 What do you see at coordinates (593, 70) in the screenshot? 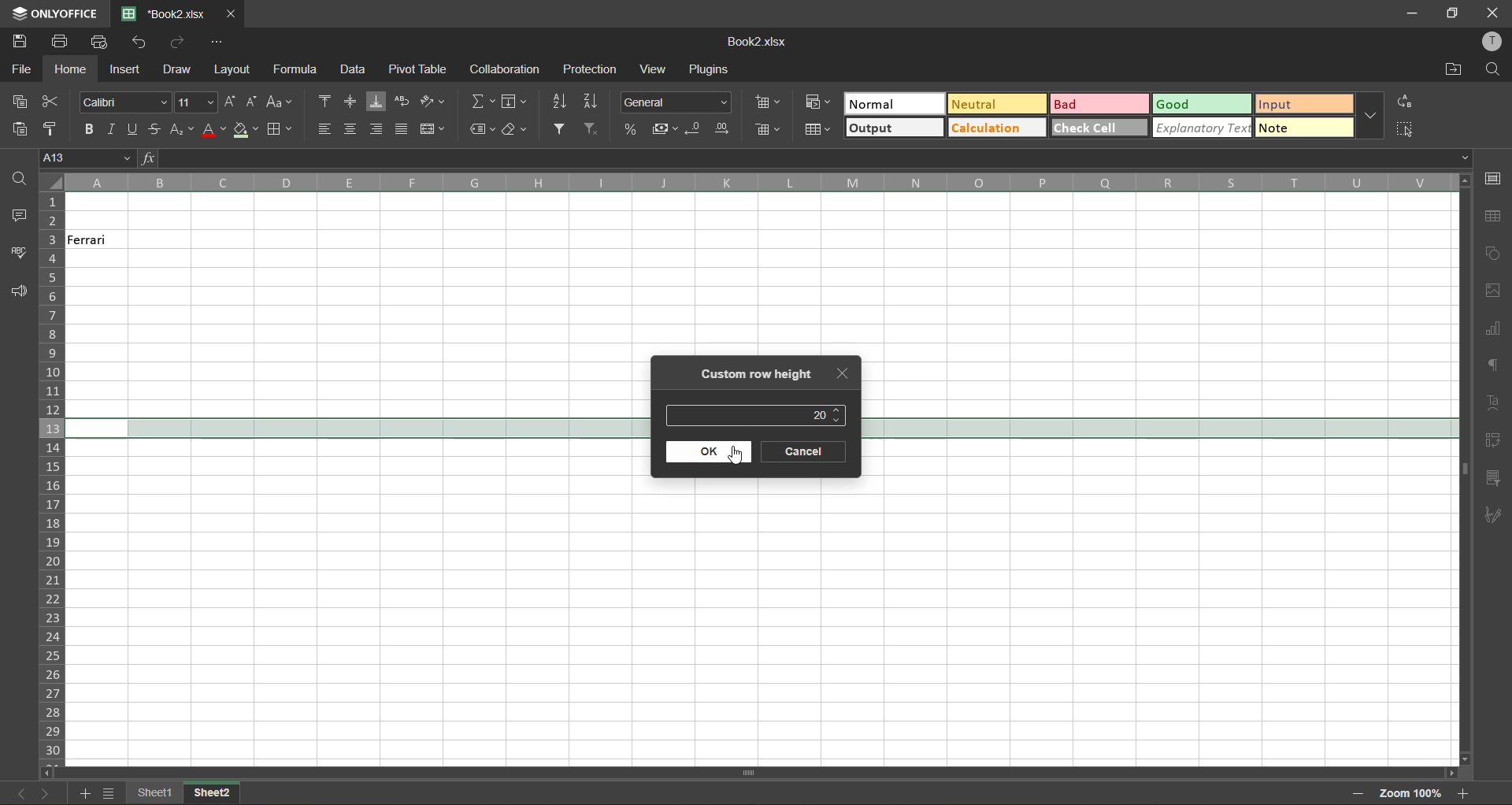
I see `protection` at bounding box center [593, 70].